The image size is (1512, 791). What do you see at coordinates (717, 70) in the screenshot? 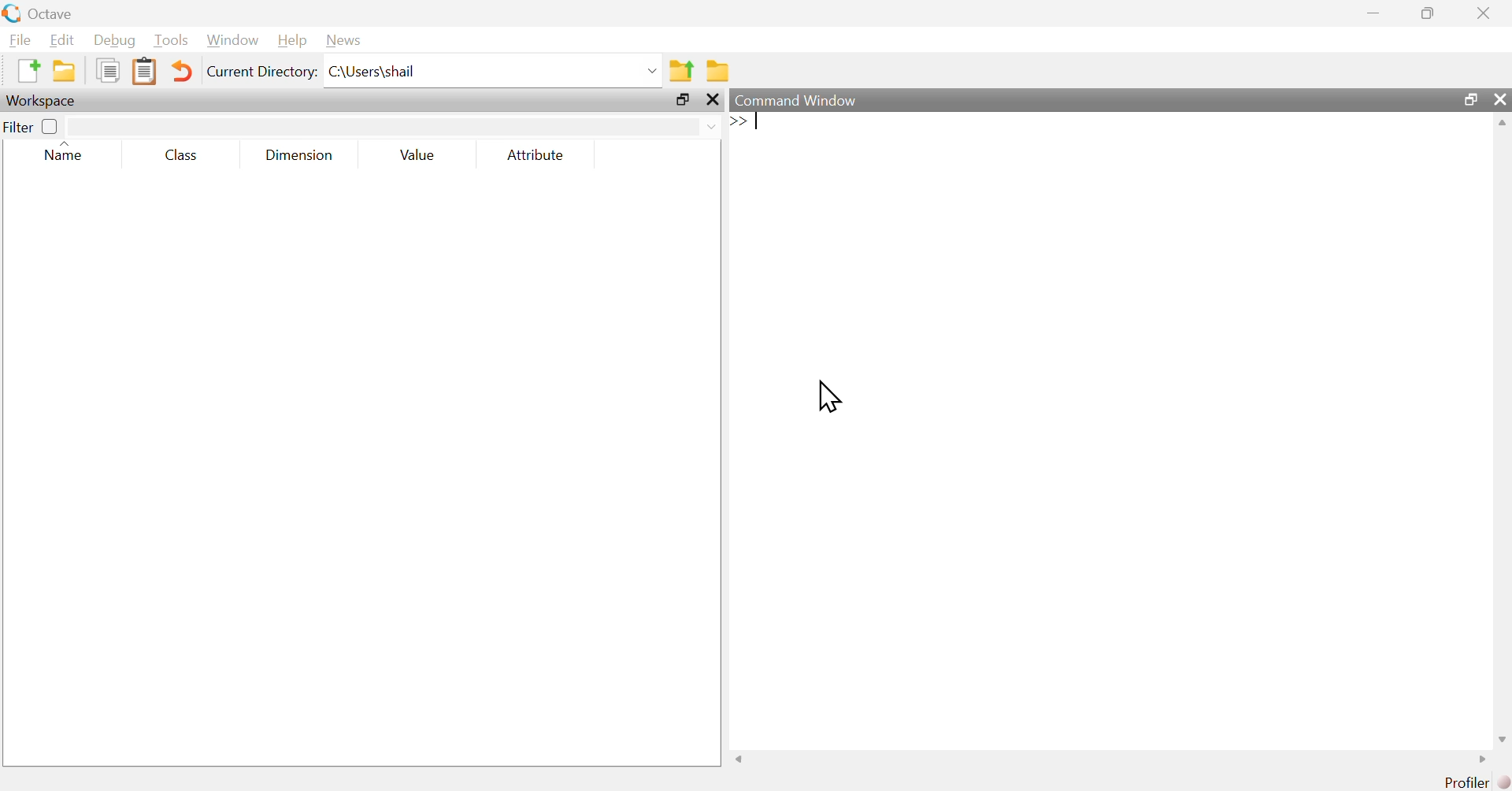
I see `Browse directories` at bounding box center [717, 70].